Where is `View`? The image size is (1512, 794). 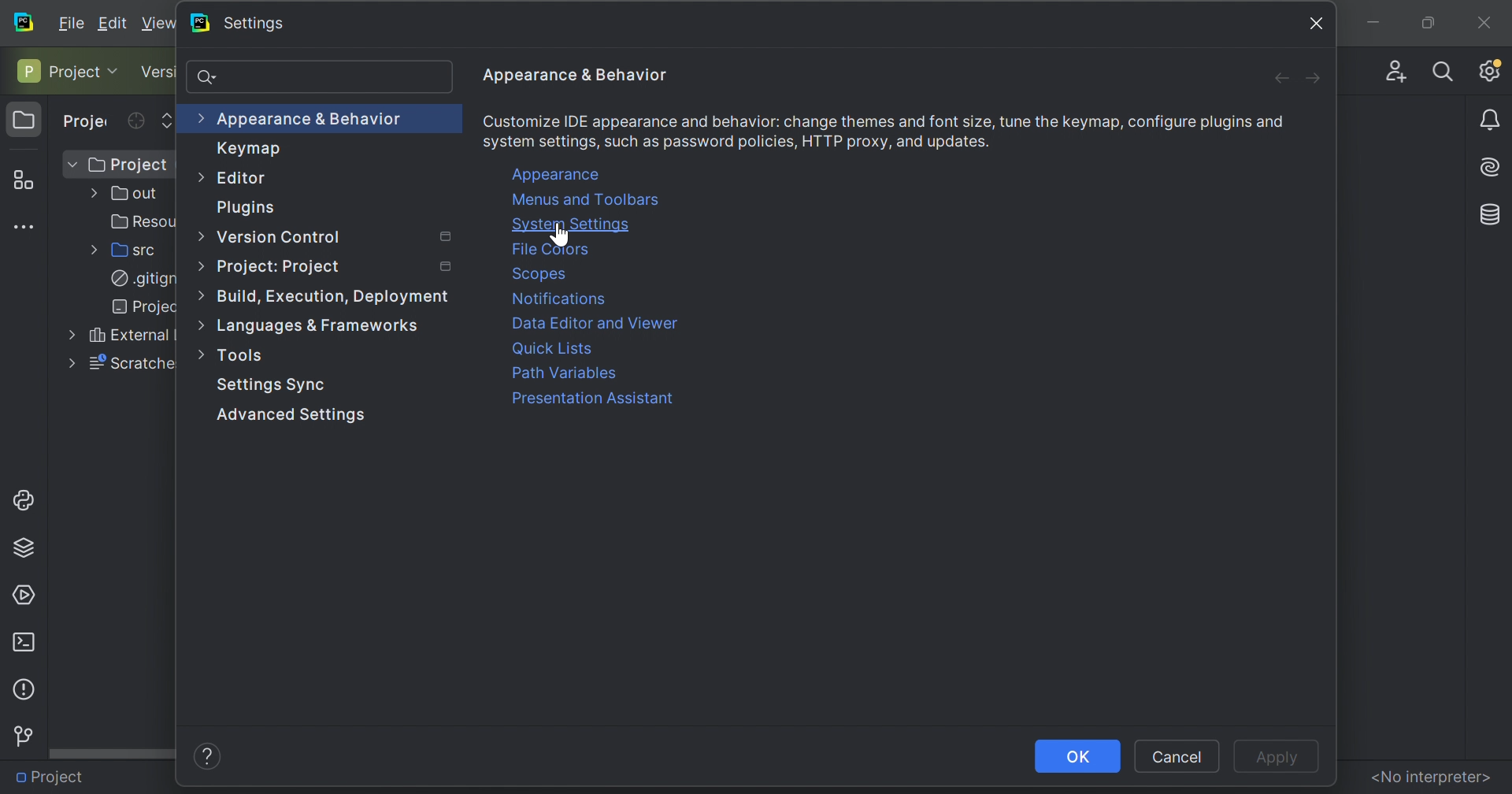
View is located at coordinates (159, 23).